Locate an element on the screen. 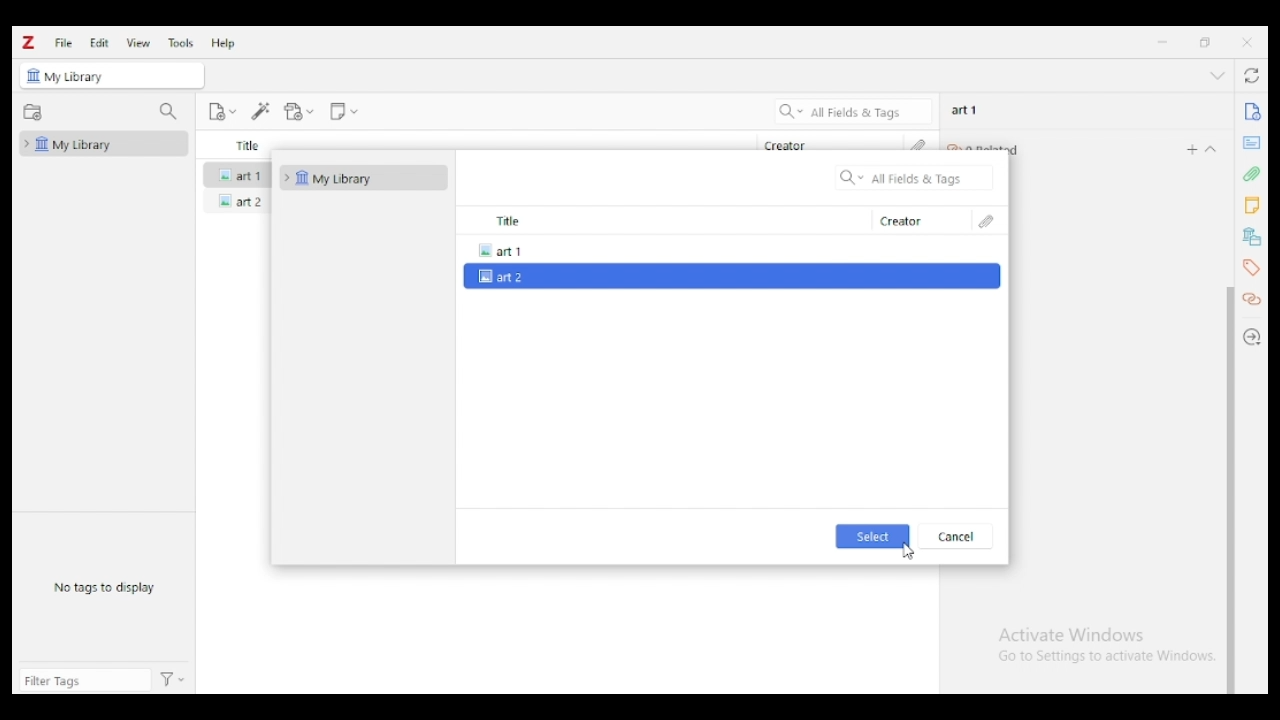  new note is located at coordinates (343, 112).